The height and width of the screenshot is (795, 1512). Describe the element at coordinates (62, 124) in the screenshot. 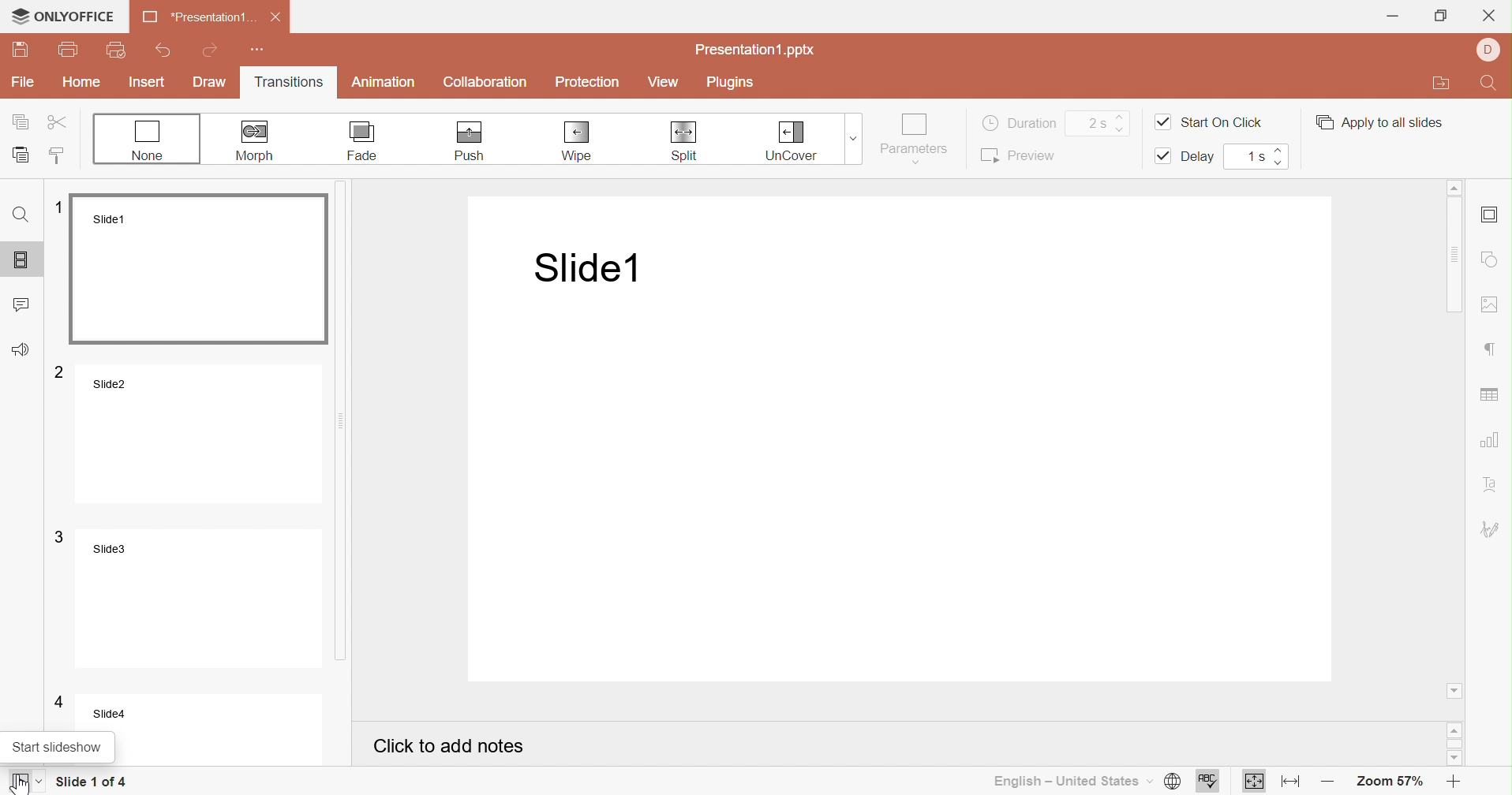

I see `Cut` at that location.